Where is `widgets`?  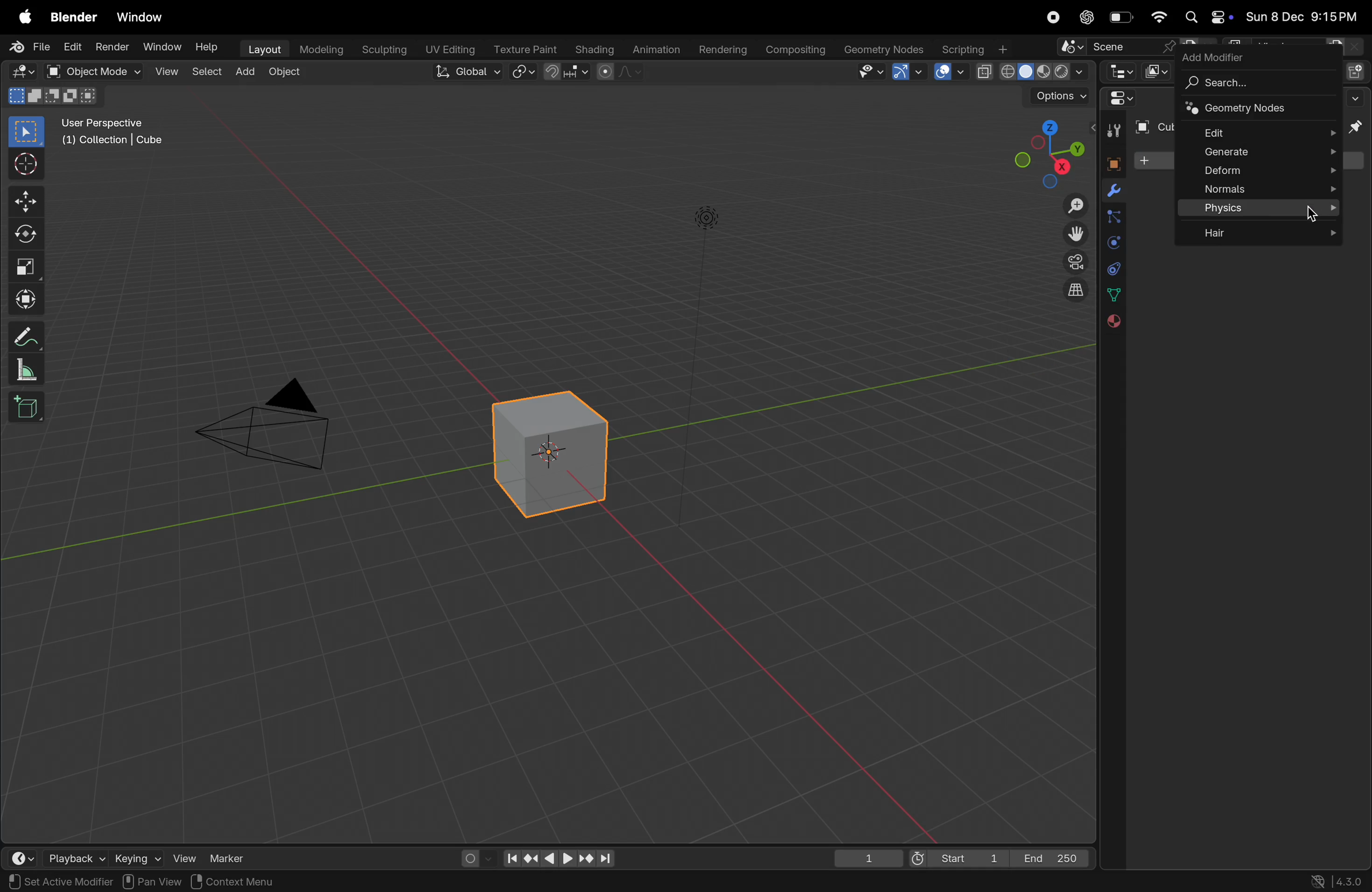
widgets is located at coordinates (1118, 99).